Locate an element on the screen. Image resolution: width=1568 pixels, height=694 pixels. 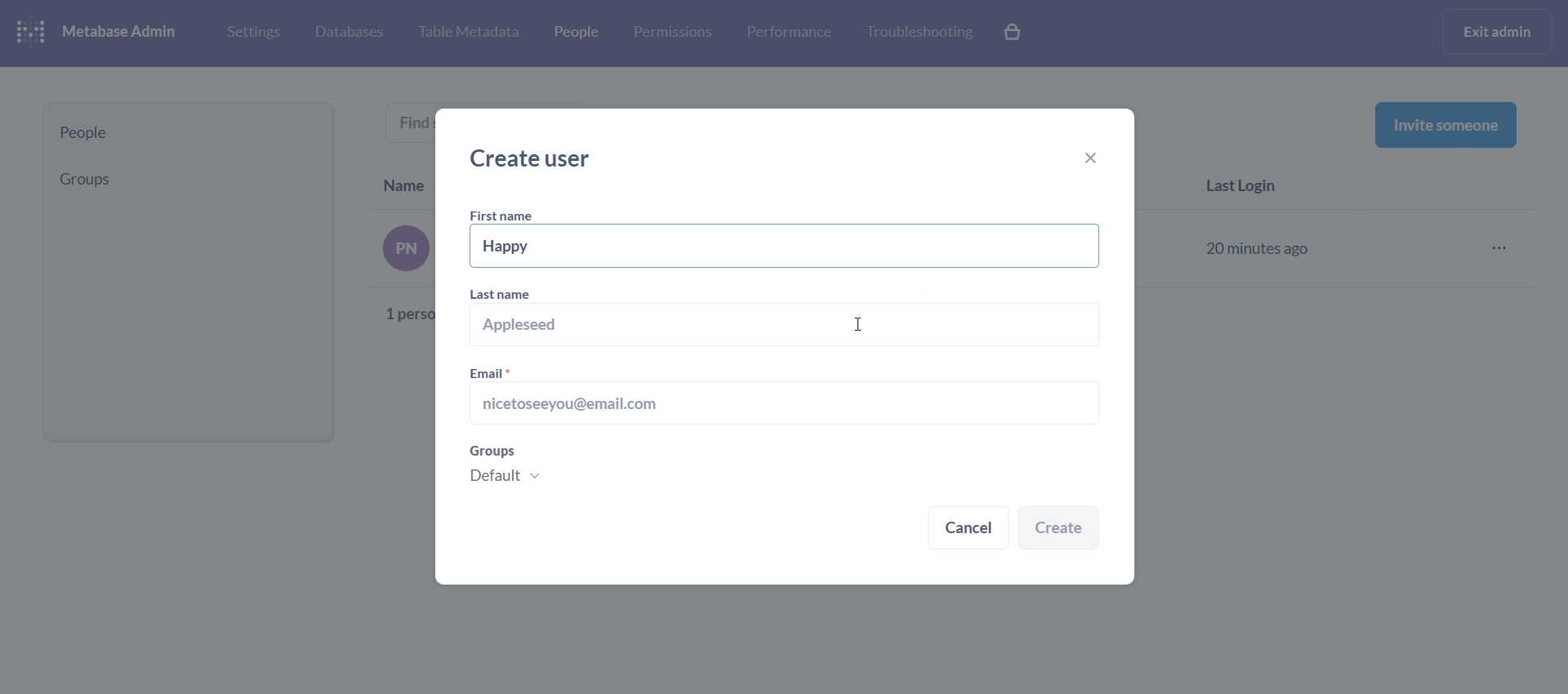
logo is located at coordinates (34, 33).